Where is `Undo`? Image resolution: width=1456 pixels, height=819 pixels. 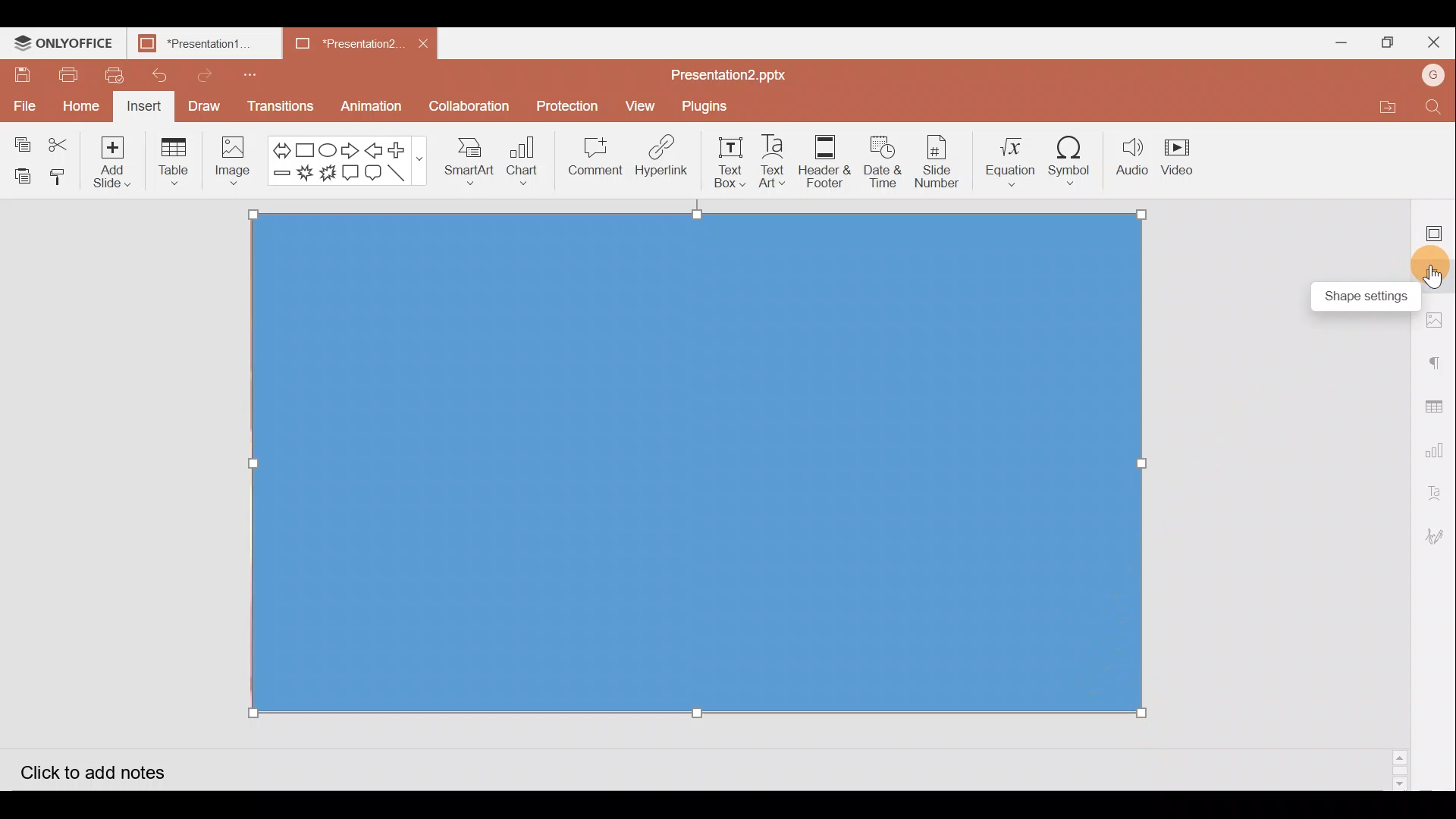
Undo is located at coordinates (160, 76).